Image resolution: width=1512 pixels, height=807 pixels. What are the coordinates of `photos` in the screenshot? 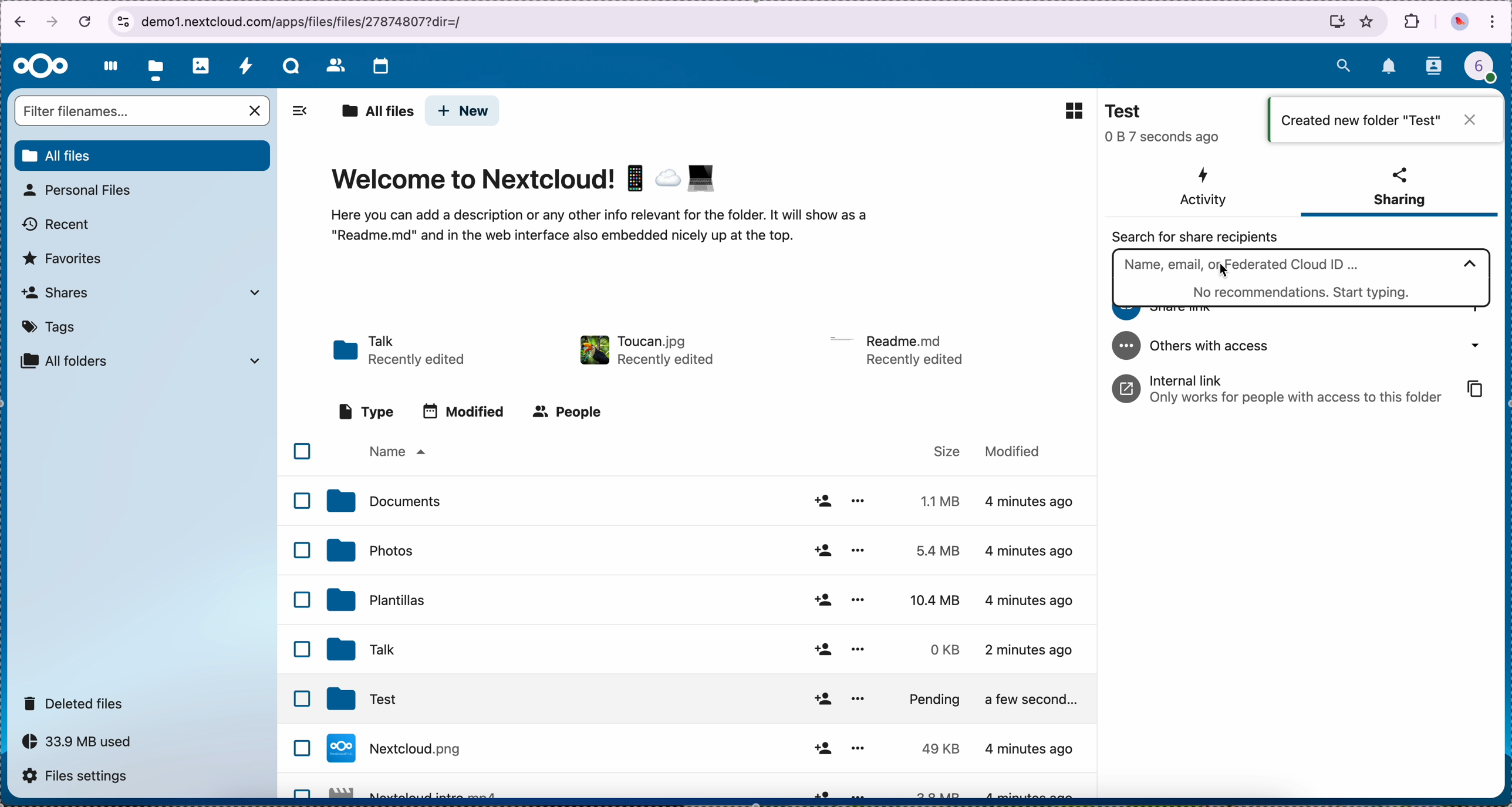 It's located at (201, 66).